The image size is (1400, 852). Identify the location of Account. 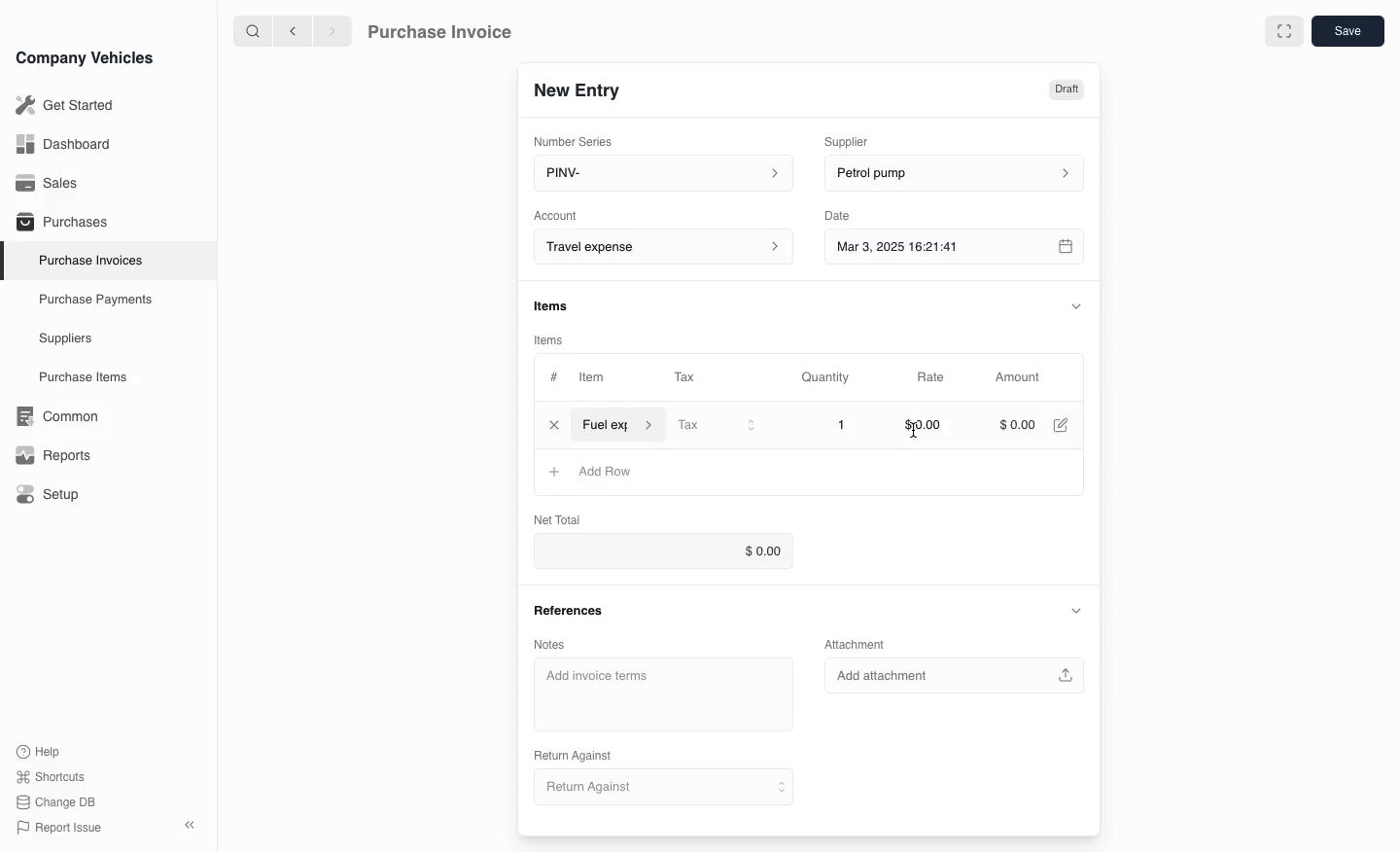
(660, 247).